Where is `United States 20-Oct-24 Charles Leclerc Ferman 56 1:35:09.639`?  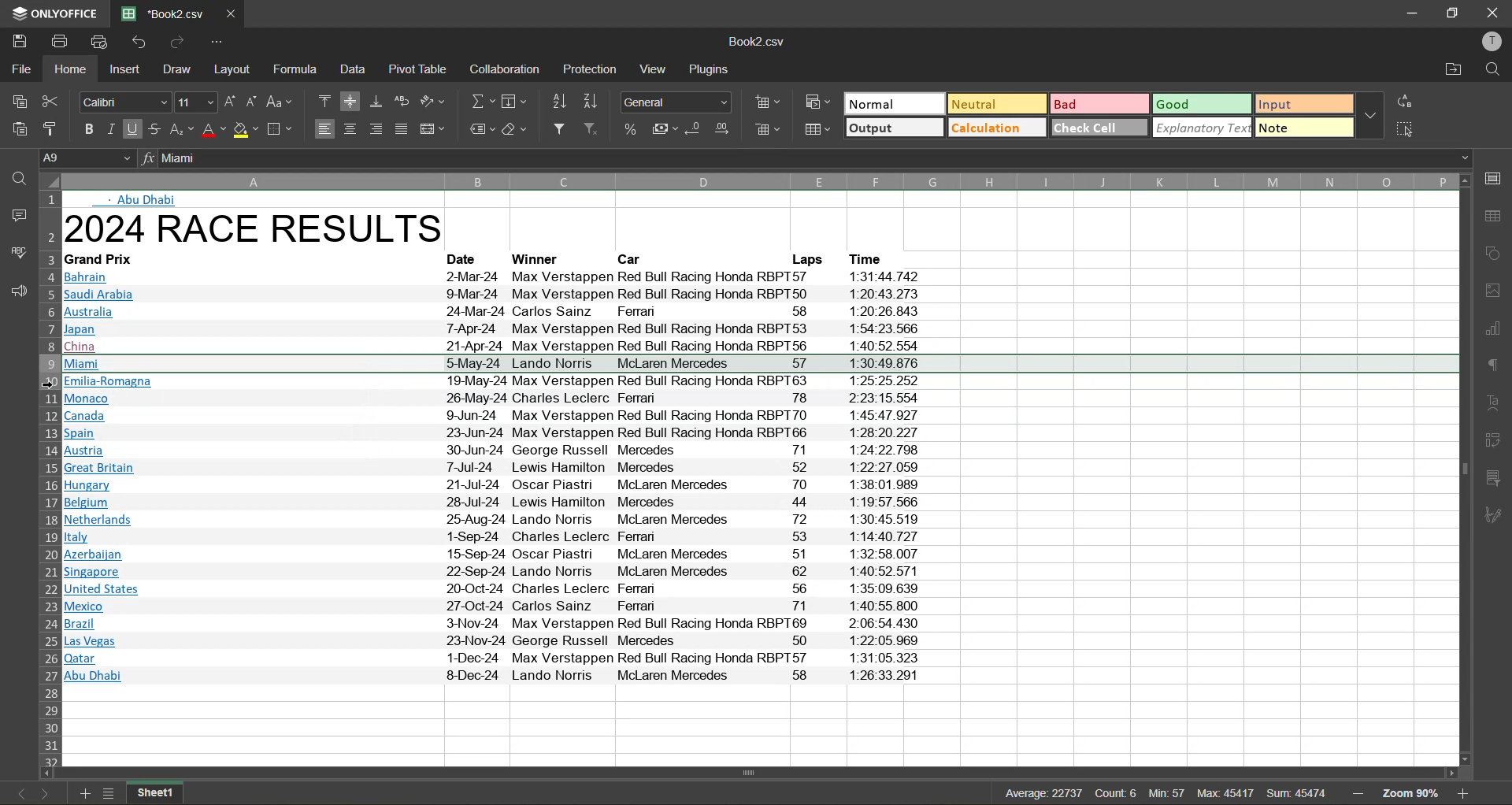 United States 20-Oct-24 Charles Leclerc Ferman 56 1:35:09.639 is located at coordinates (495, 589).